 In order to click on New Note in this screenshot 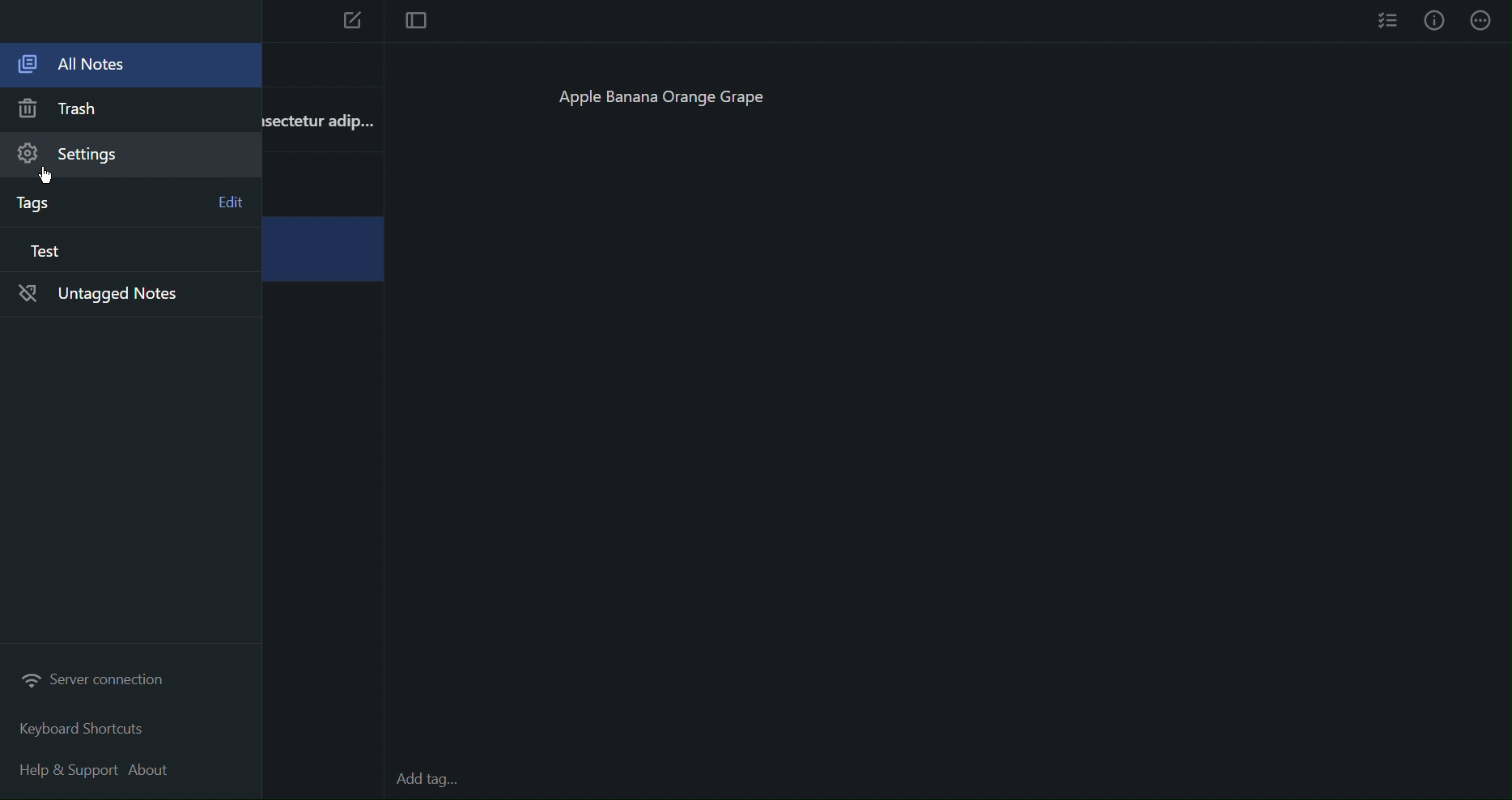, I will do `click(353, 23)`.